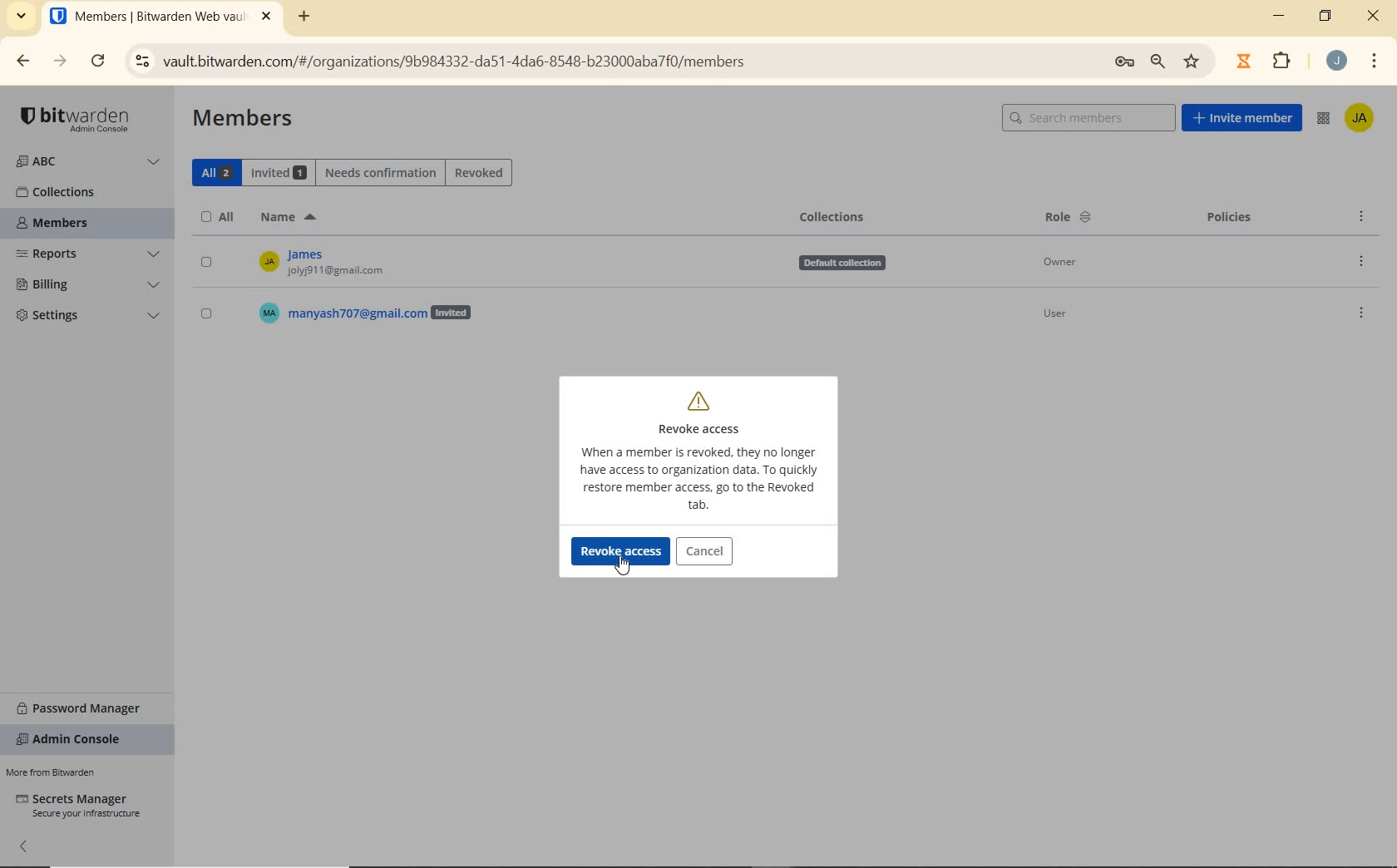  Describe the element at coordinates (1281, 19) in the screenshot. I see `MINIMIZE` at that location.